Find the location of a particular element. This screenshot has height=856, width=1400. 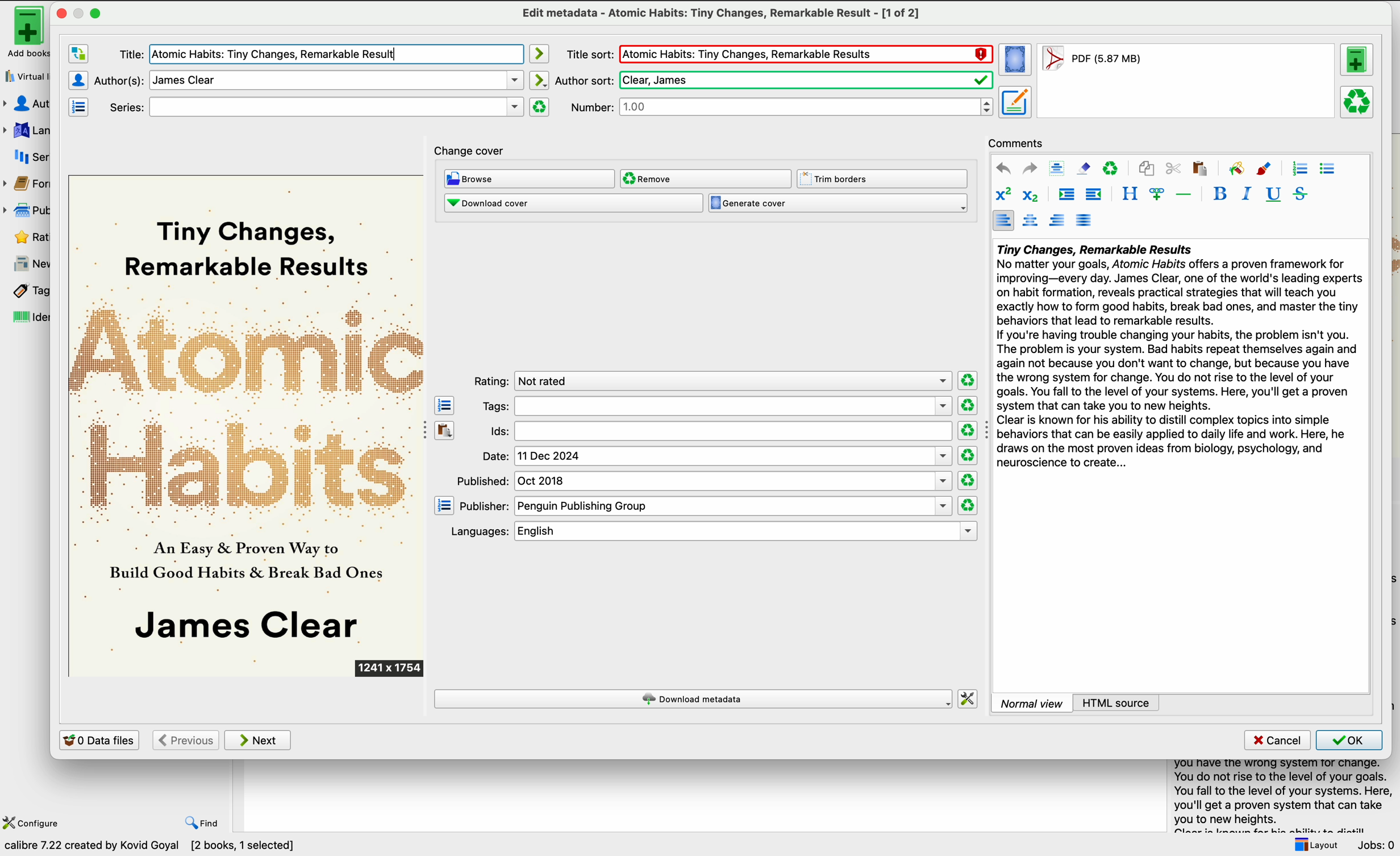

authors editor is located at coordinates (78, 80).